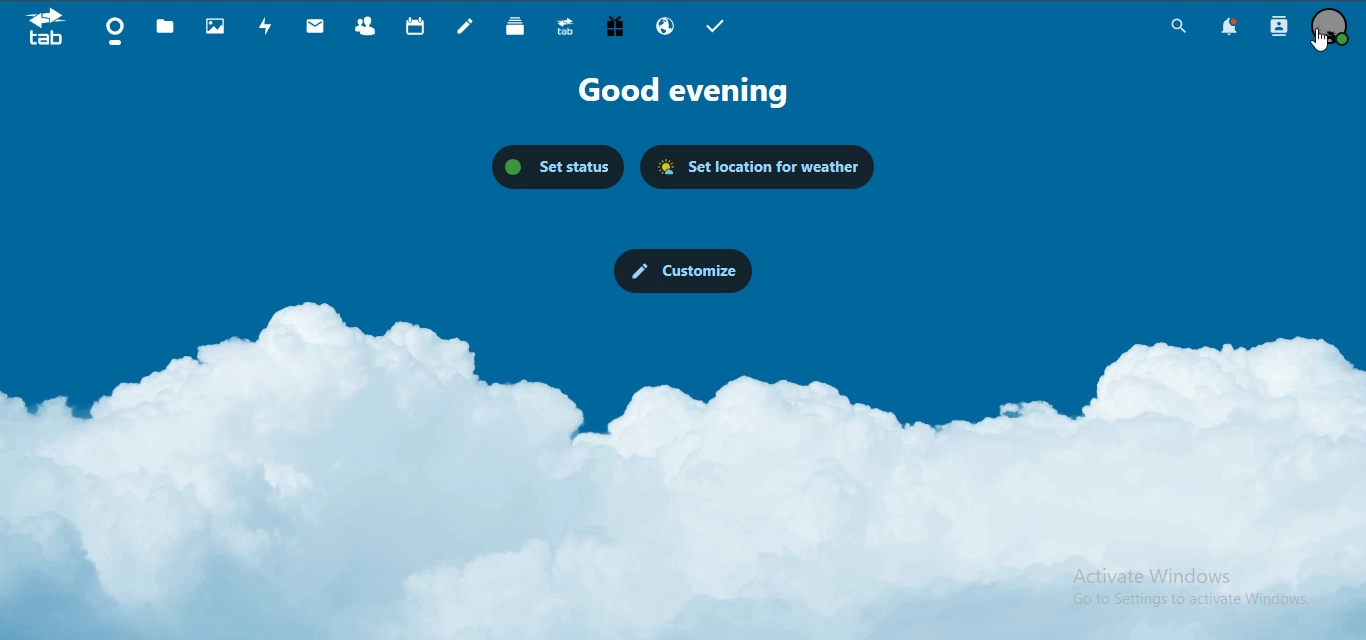 This screenshot has height=640, width=1366. I want to click on mail, so click(316, 27).